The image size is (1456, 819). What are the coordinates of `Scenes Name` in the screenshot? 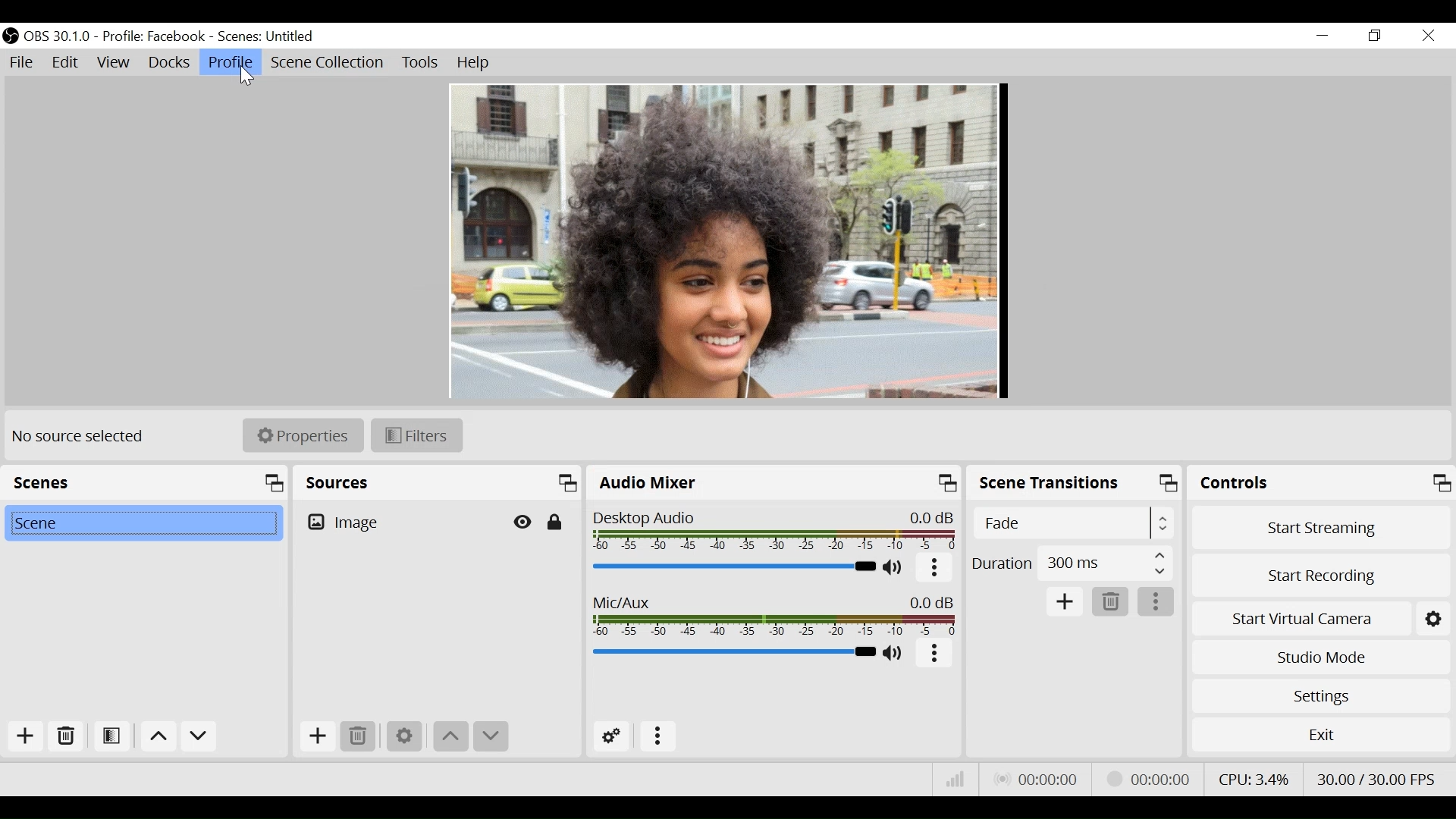 It's located at (276, 36).